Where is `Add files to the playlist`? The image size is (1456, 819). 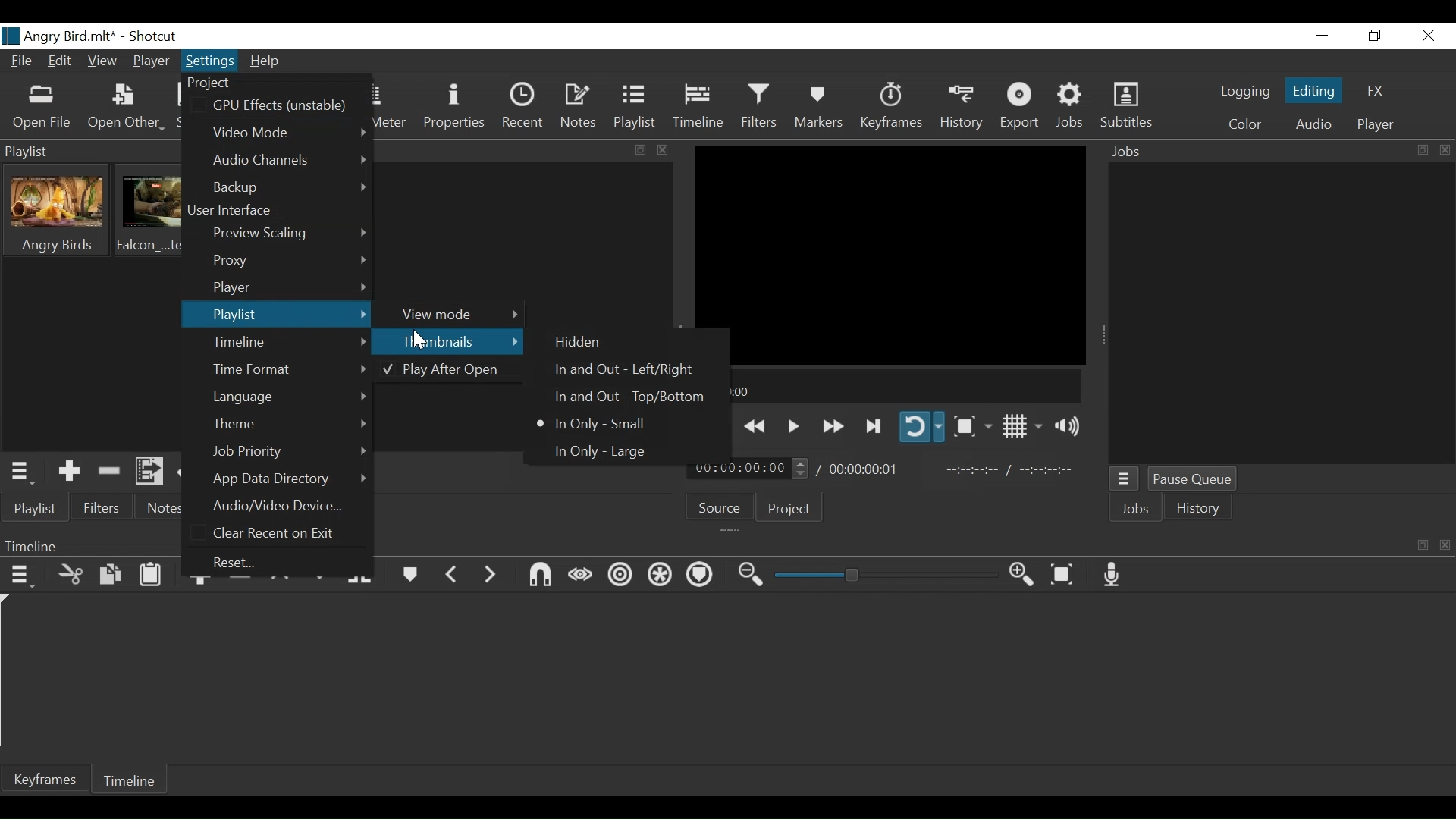 Add files to the playlist is located at coordinates (149, 472).